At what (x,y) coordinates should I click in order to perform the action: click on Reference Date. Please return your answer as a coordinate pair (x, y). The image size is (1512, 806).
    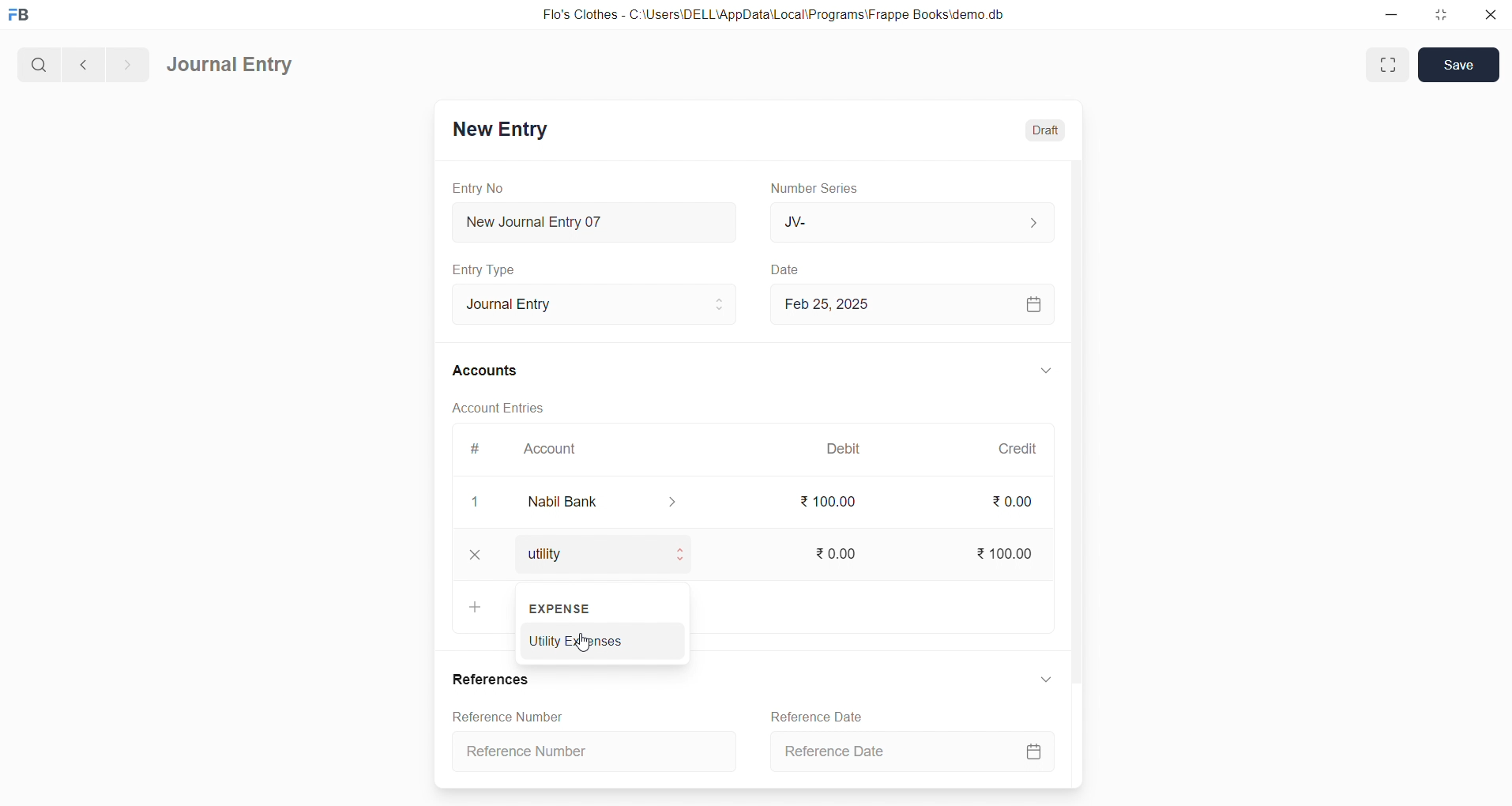
    Looking at the image, I should click on (813, 715).